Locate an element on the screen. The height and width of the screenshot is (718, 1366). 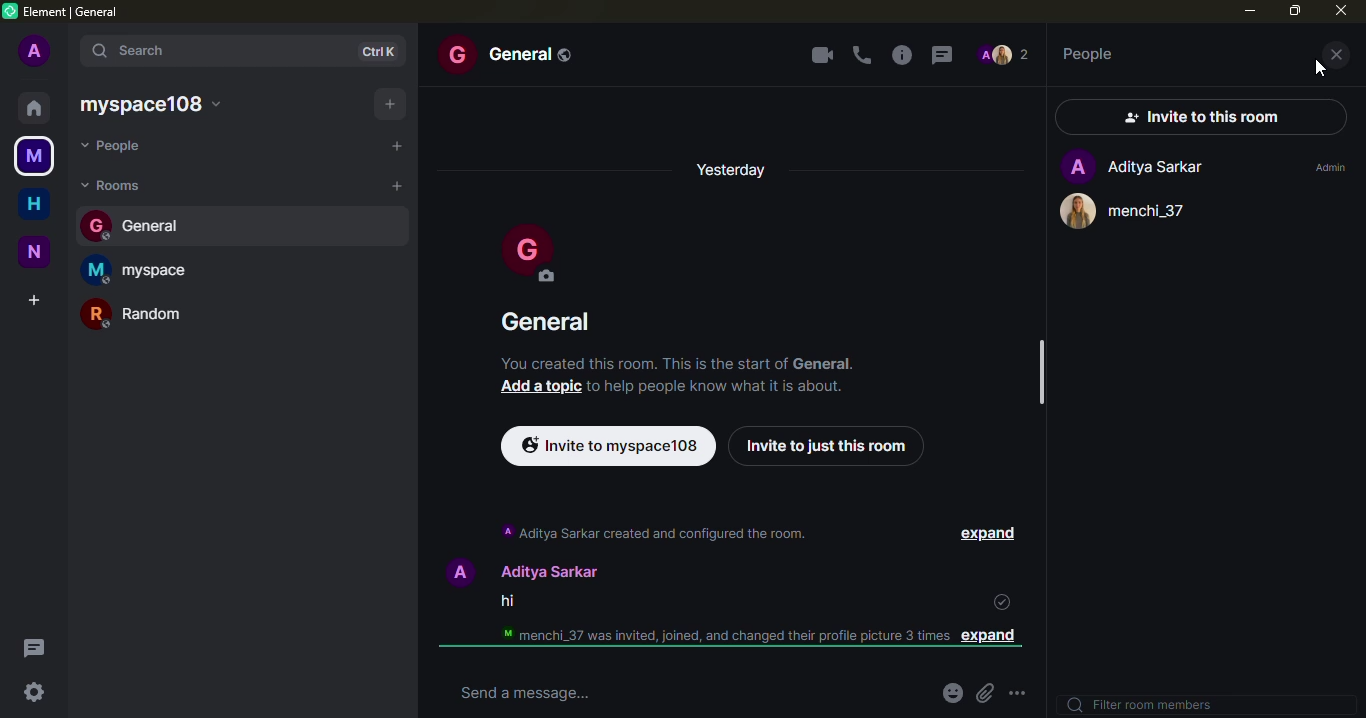
aditya sarkar created and configured the room. is located at coordinates (653, 532).